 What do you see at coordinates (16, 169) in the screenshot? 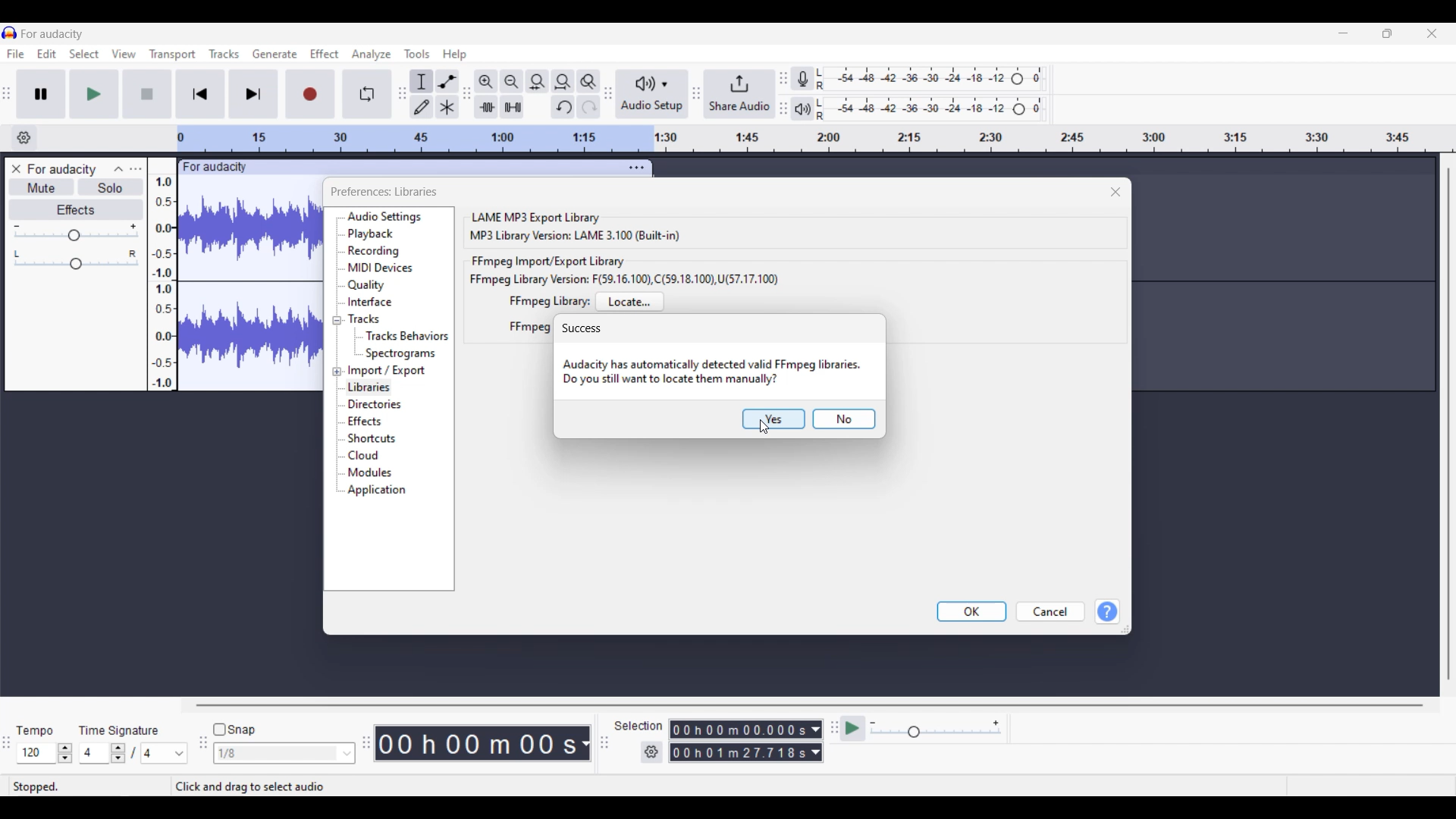
I see `Close track` at bounding box center [16, 169].